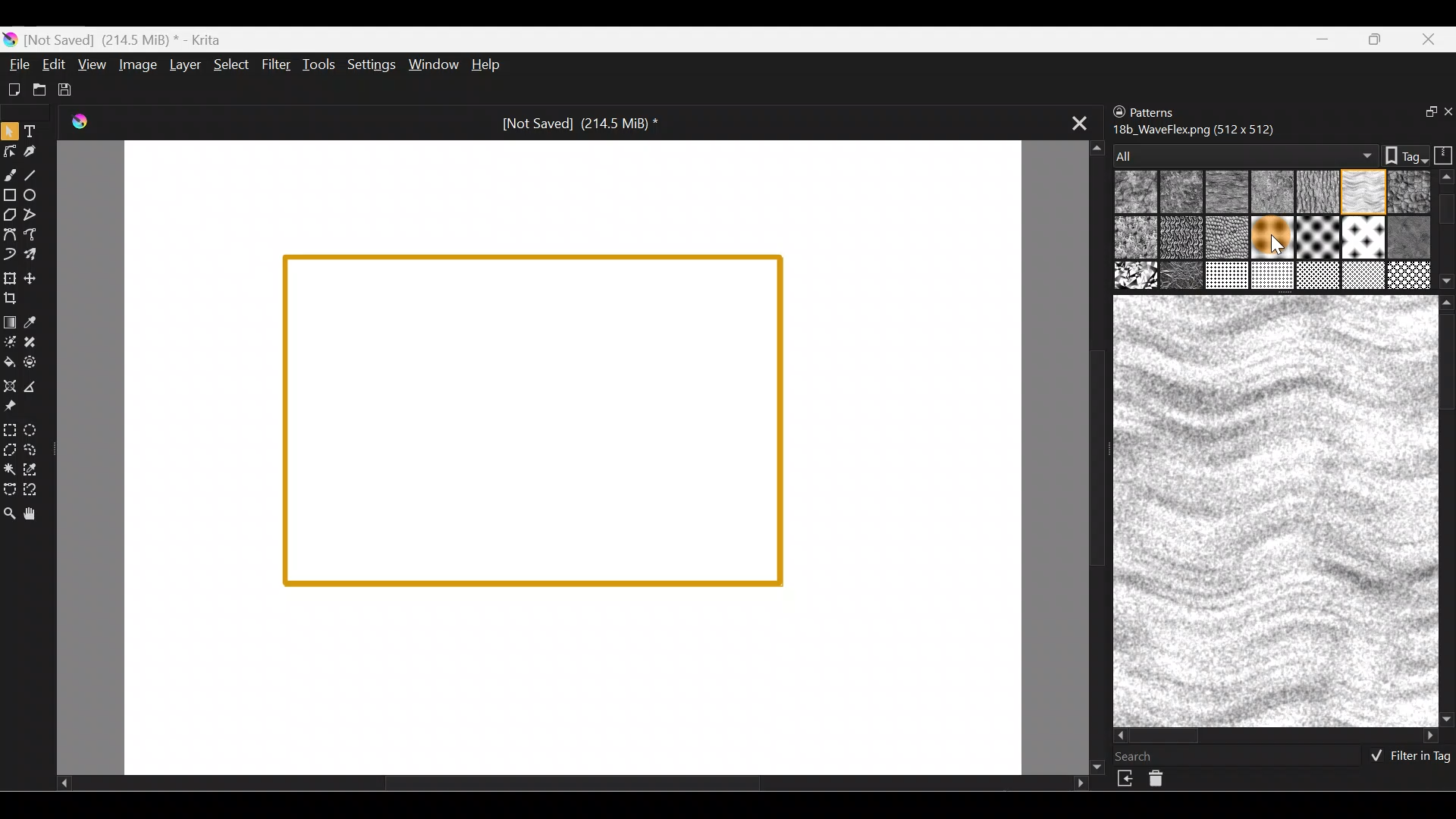  What do you see at coordinates (37, 277) in the screenshot?
I see `Move a layer` at bounding box center [37, 277].